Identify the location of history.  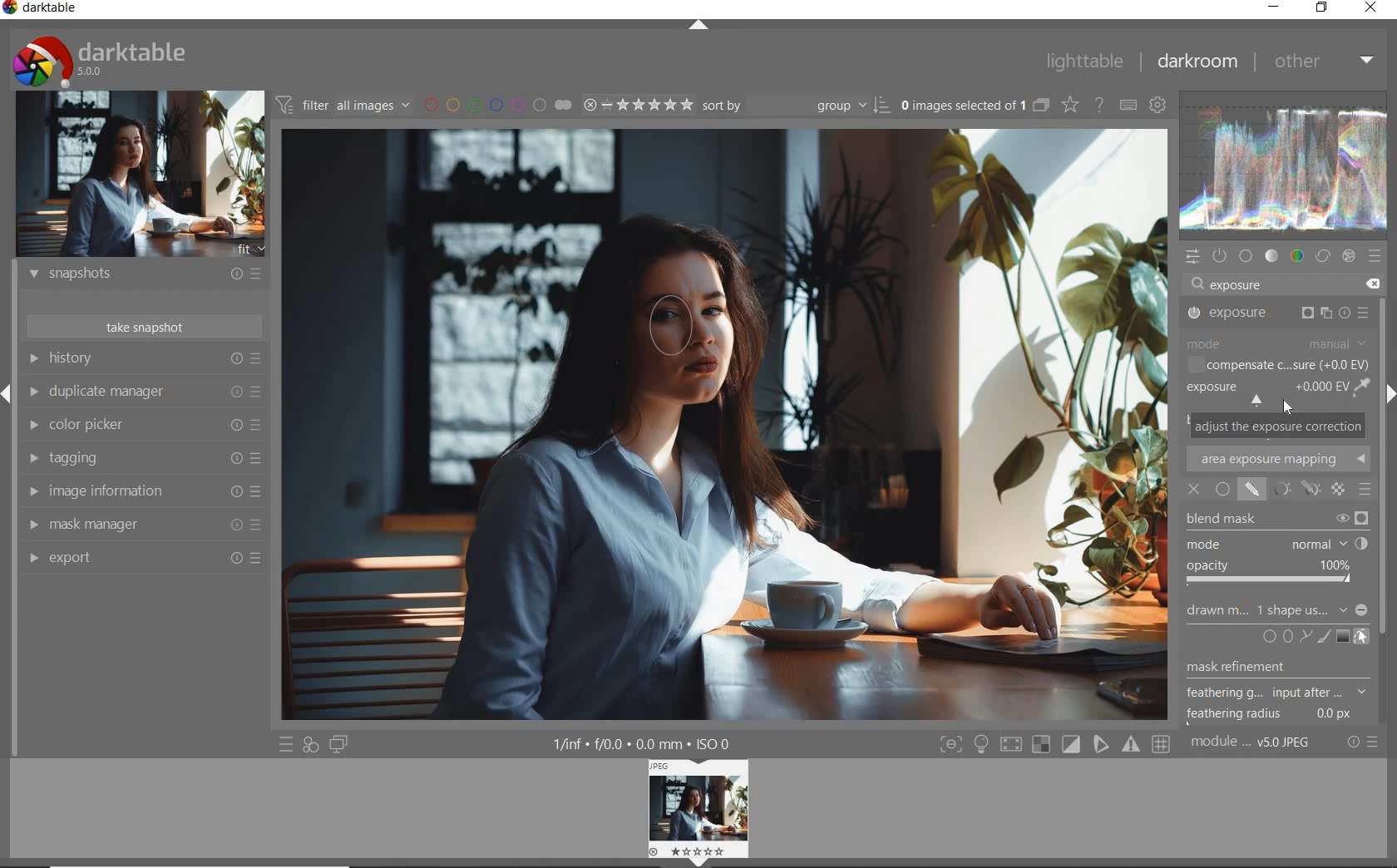
(142, 358).